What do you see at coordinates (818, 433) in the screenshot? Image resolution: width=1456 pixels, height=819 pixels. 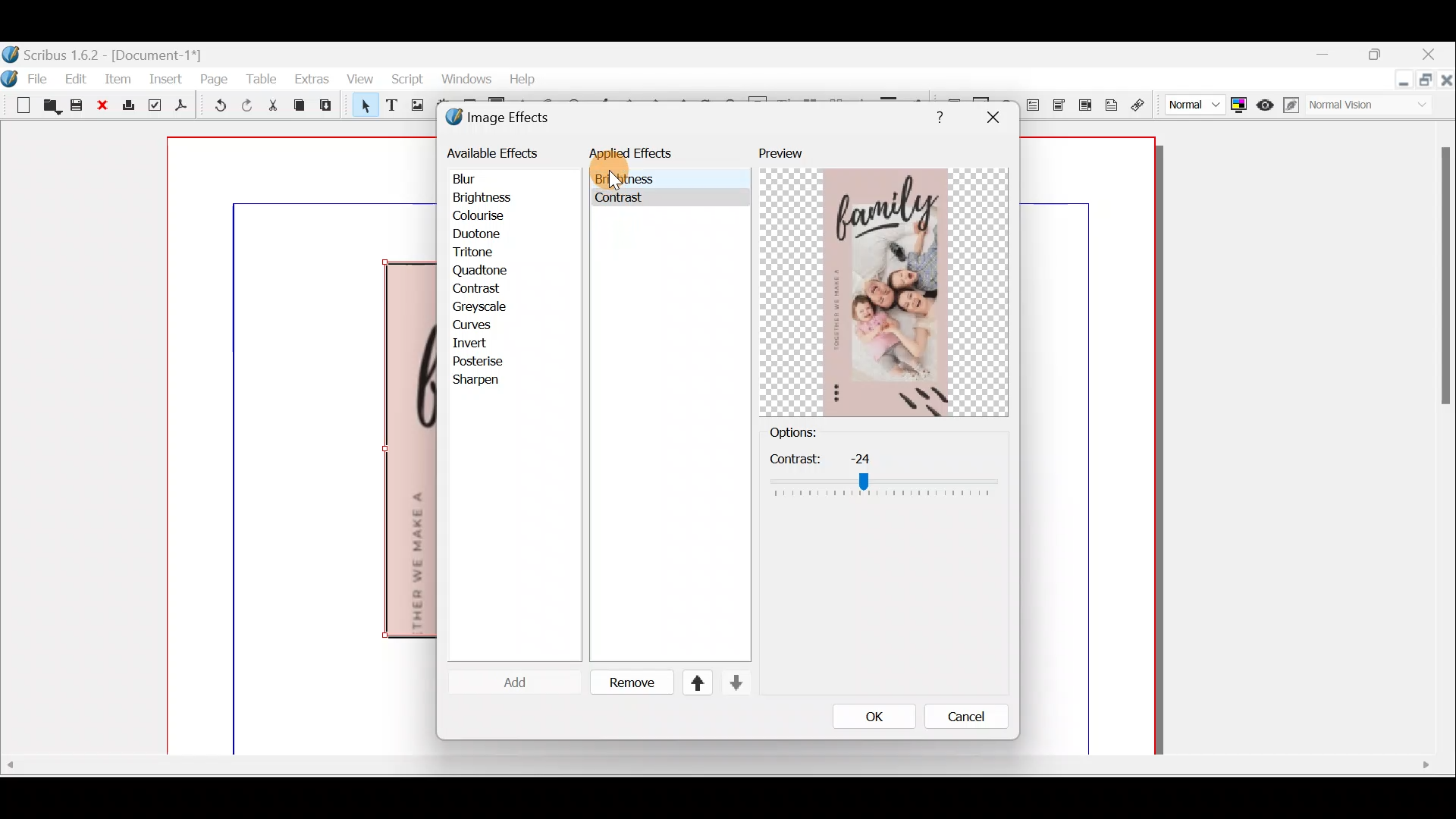 I see `Options` at bounding box center [818, 433].